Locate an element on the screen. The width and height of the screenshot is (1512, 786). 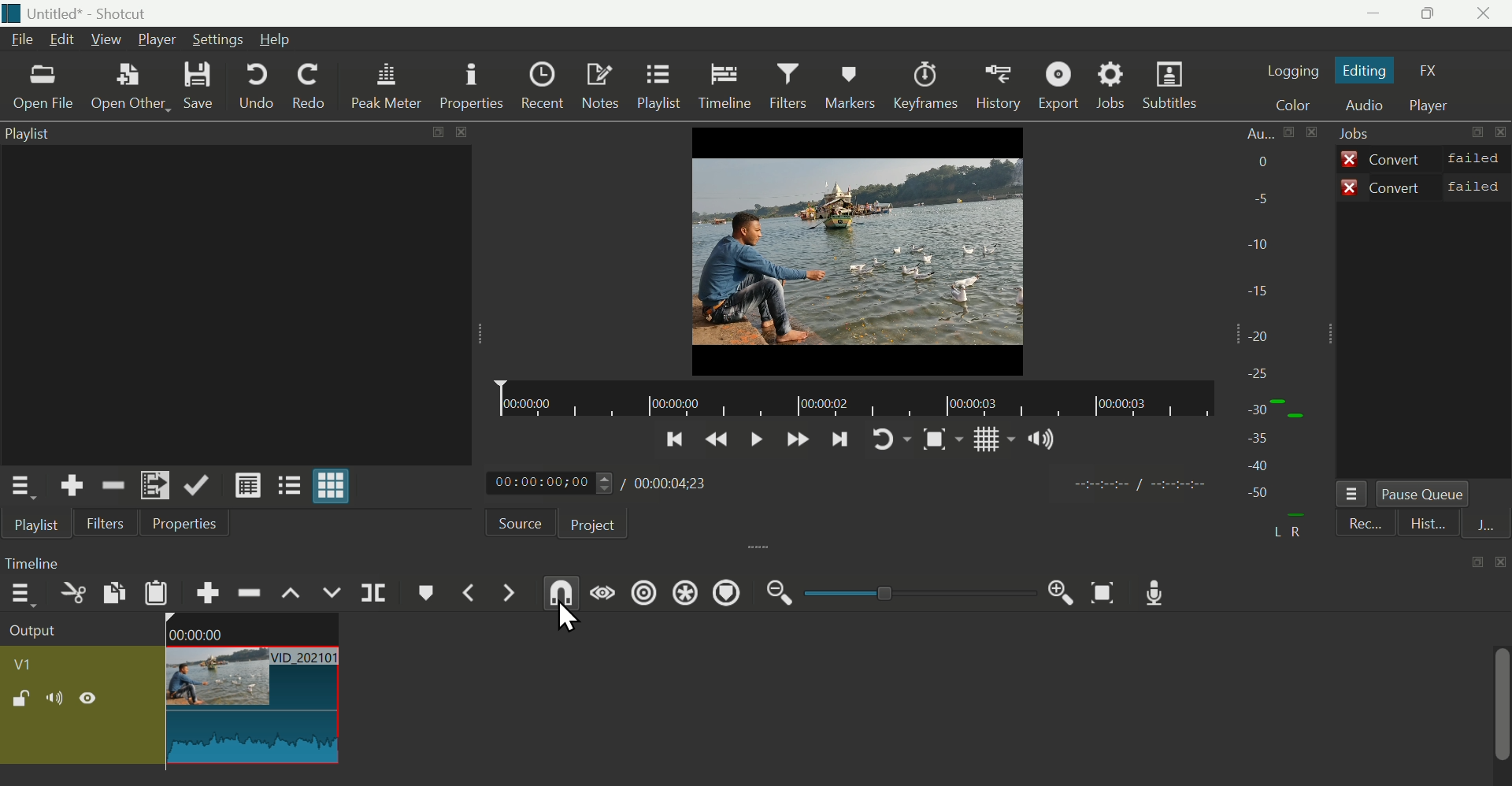
Paste is located at coordinates (159, 595).